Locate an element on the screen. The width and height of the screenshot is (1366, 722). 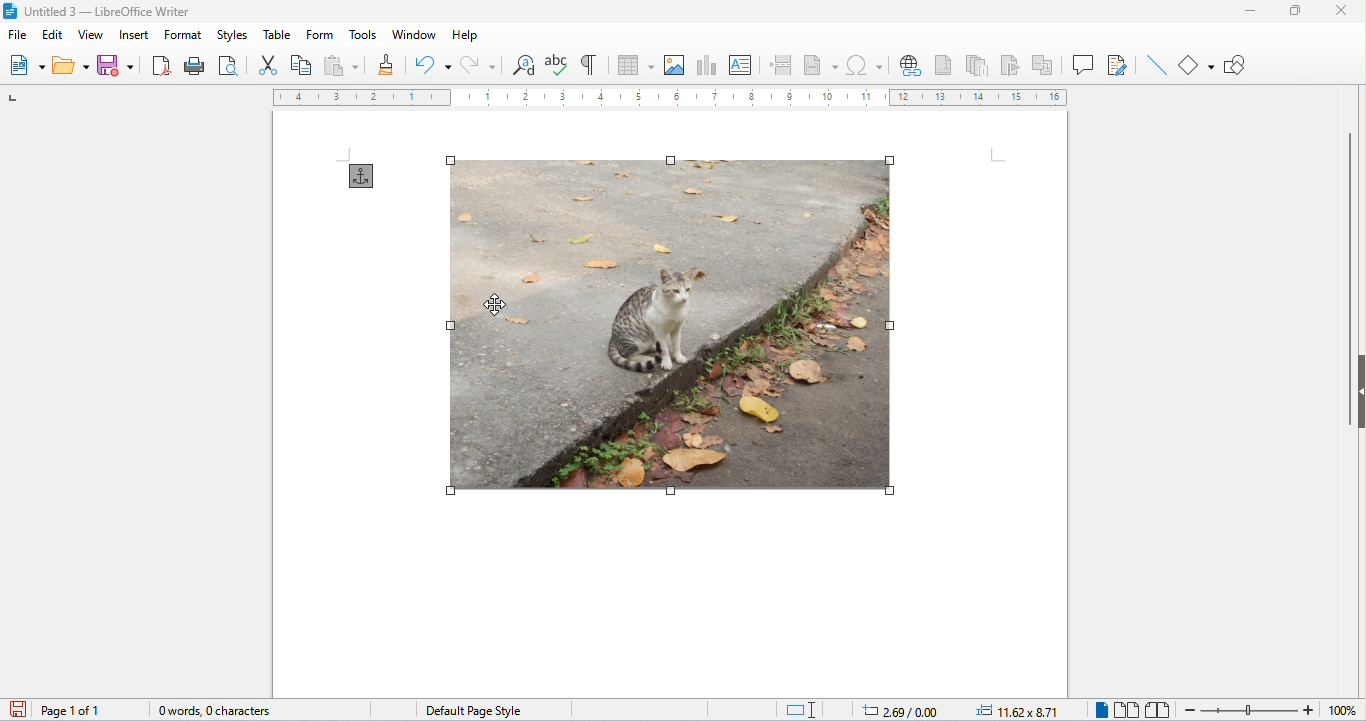
view is located at coordinates (89, 34).